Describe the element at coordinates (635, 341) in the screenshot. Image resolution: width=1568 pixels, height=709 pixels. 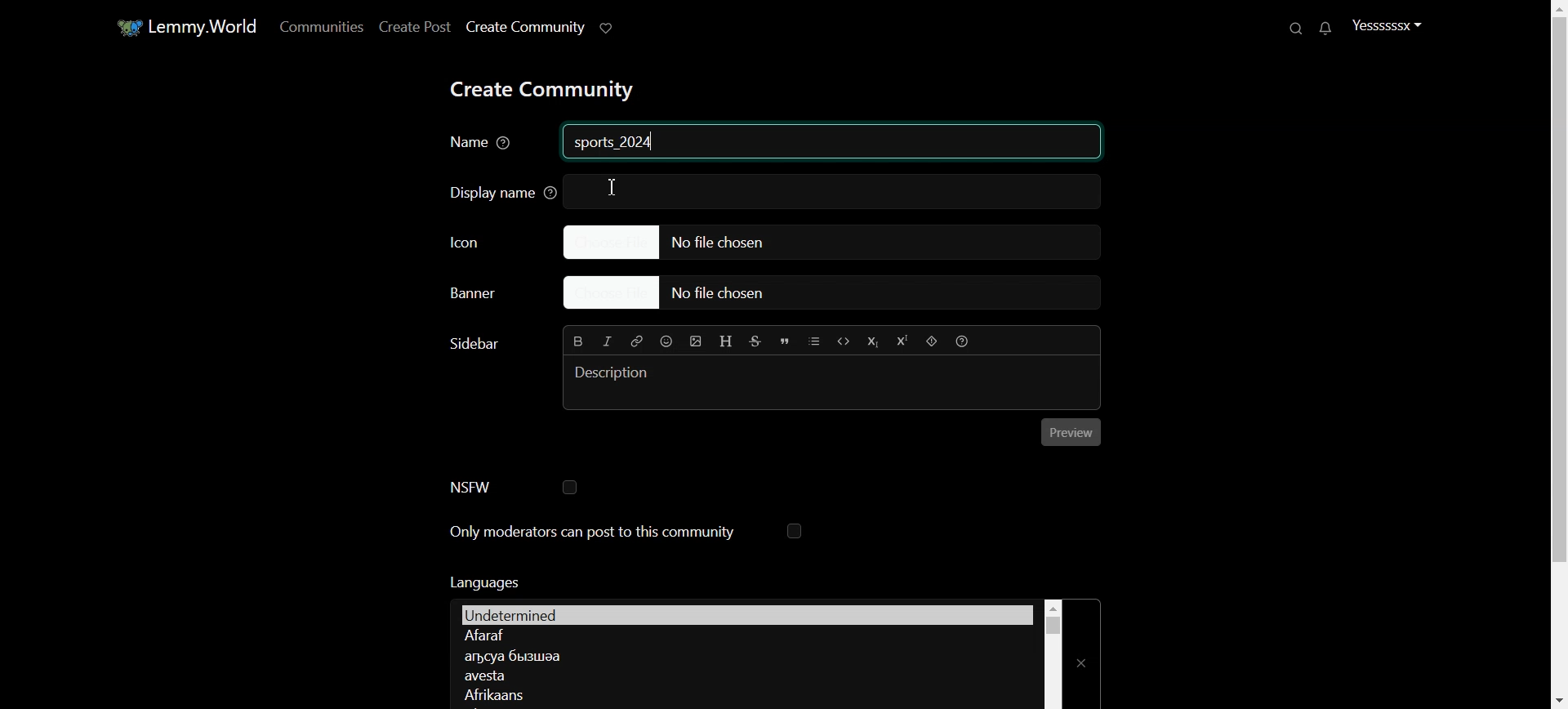
I see `Hyperlink` at that location.